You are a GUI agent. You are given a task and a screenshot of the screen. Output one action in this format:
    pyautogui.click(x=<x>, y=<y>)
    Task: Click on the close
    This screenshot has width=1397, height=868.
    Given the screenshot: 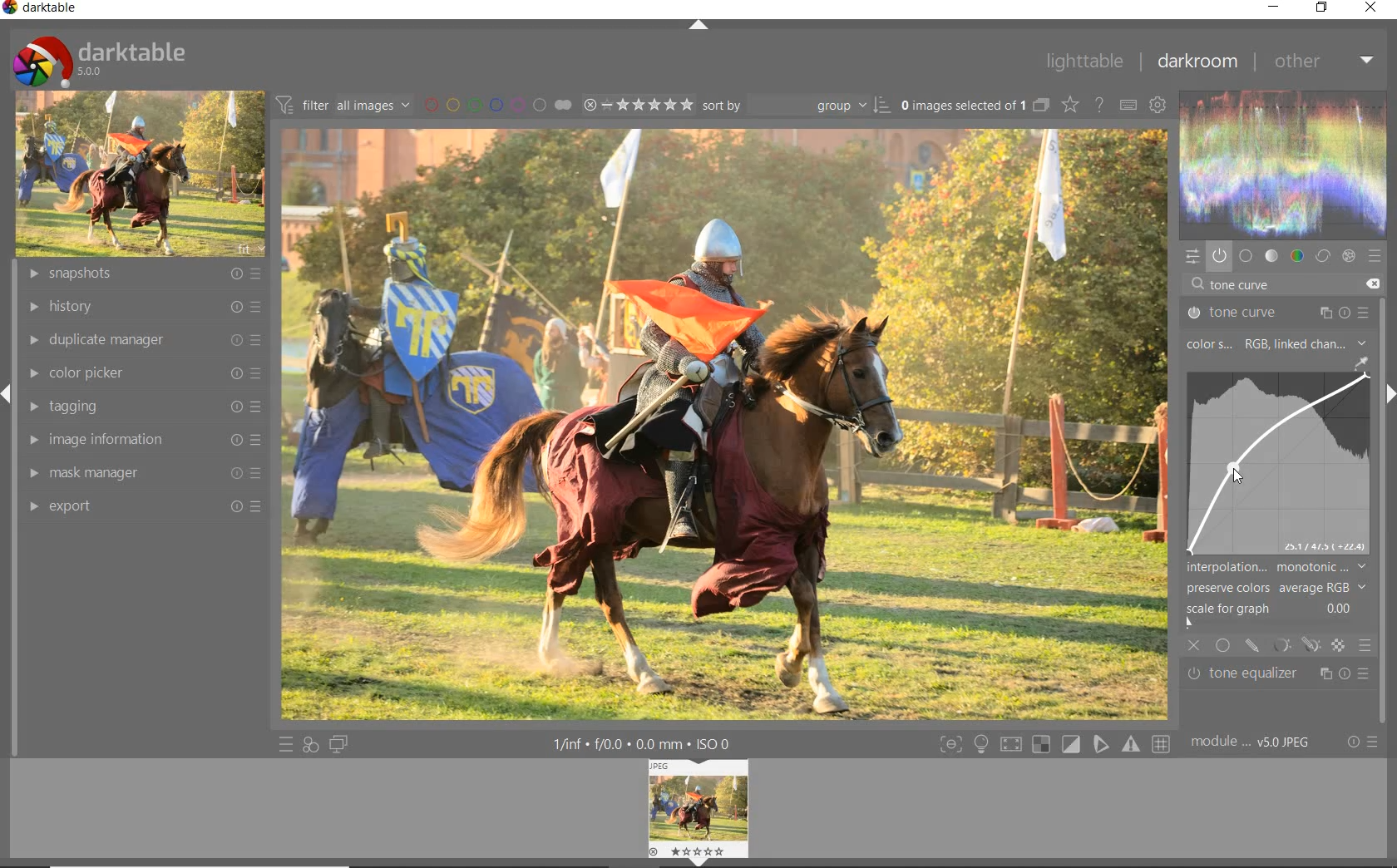 What is the action you would take?
    pyautogui.click(x=1195, y=647)
    